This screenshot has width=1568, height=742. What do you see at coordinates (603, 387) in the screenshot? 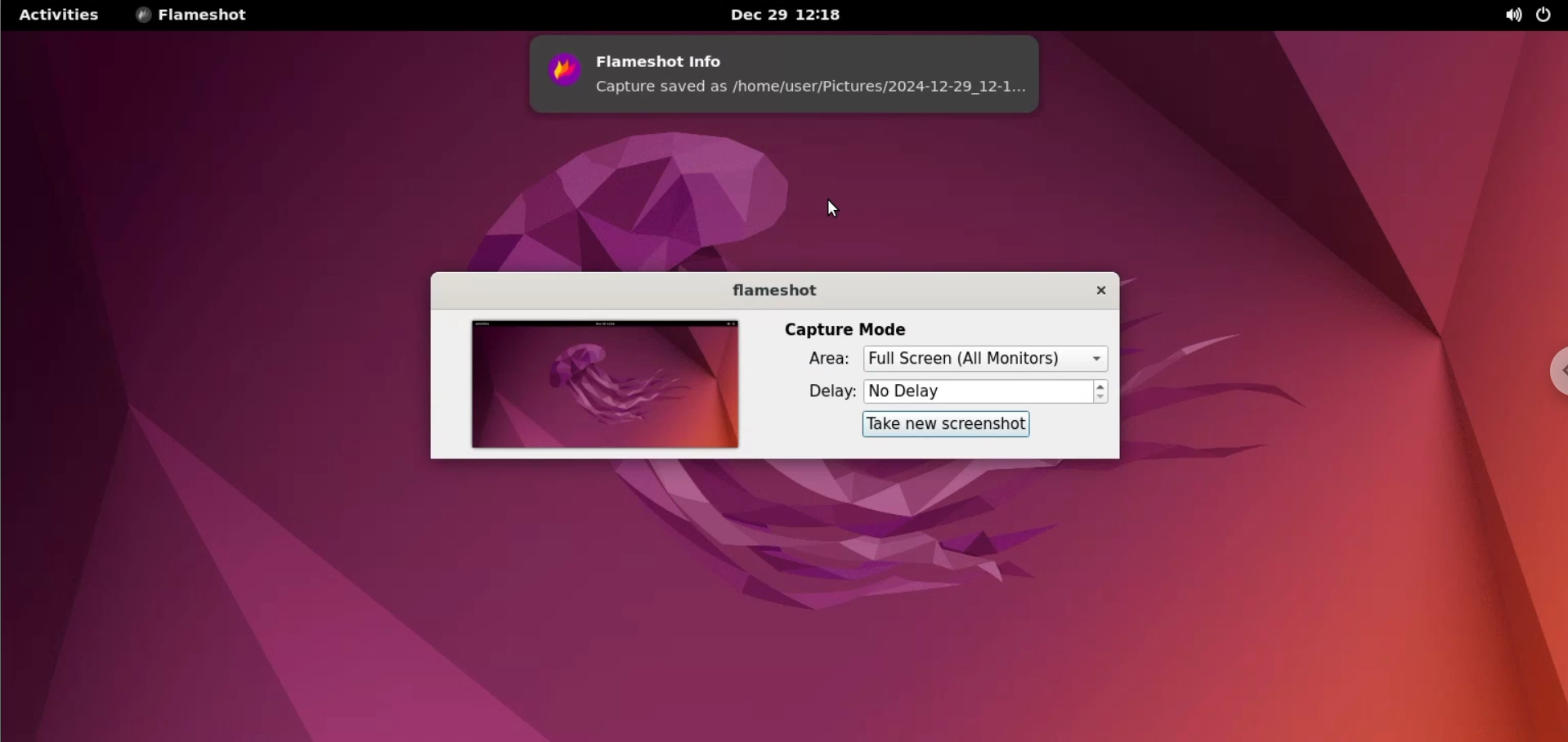
I see `screenshot preview` at bounding box center [603, 387].